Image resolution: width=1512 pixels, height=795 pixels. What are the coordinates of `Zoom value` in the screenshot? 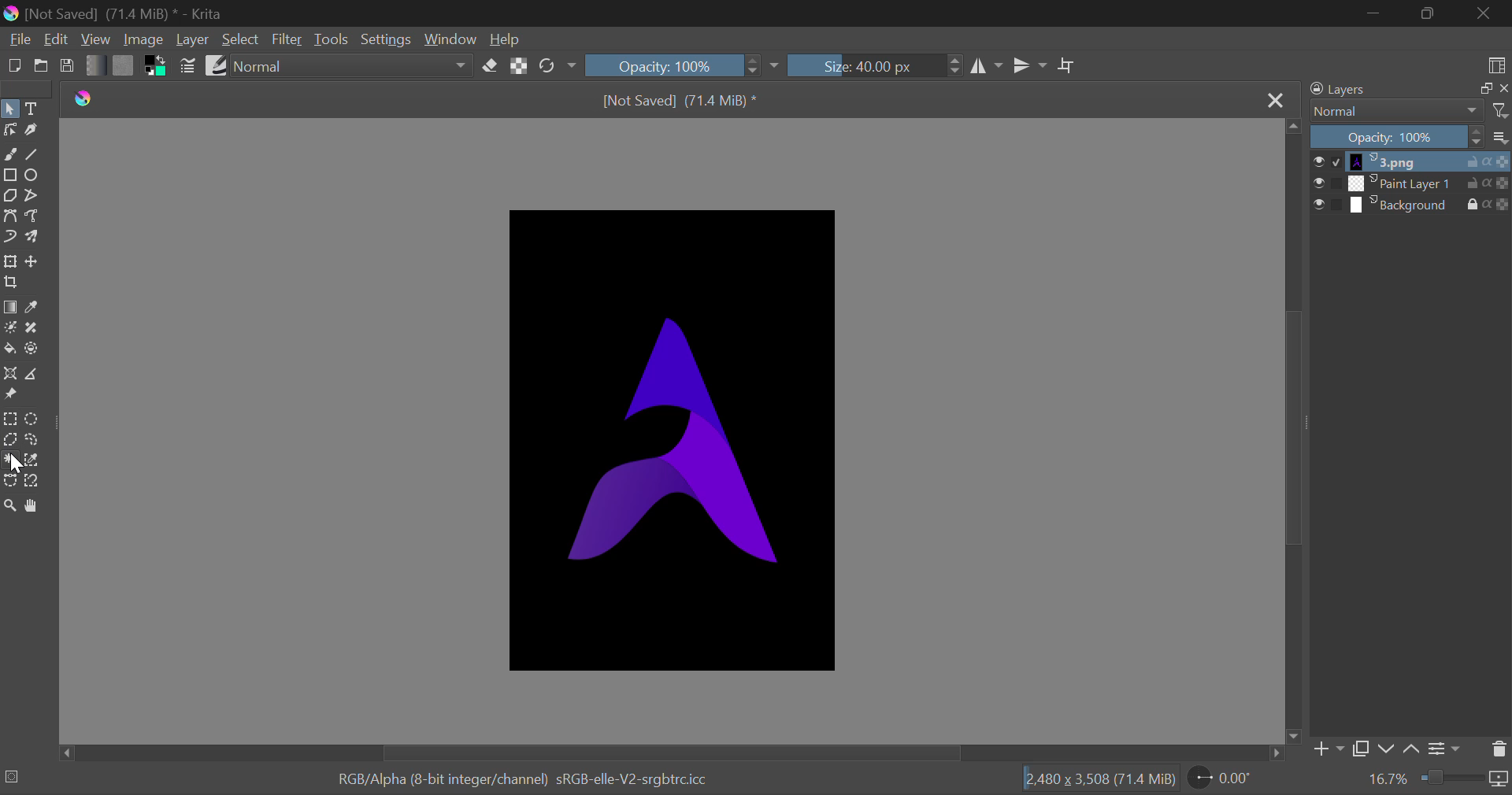 It's located at (1388, 778).